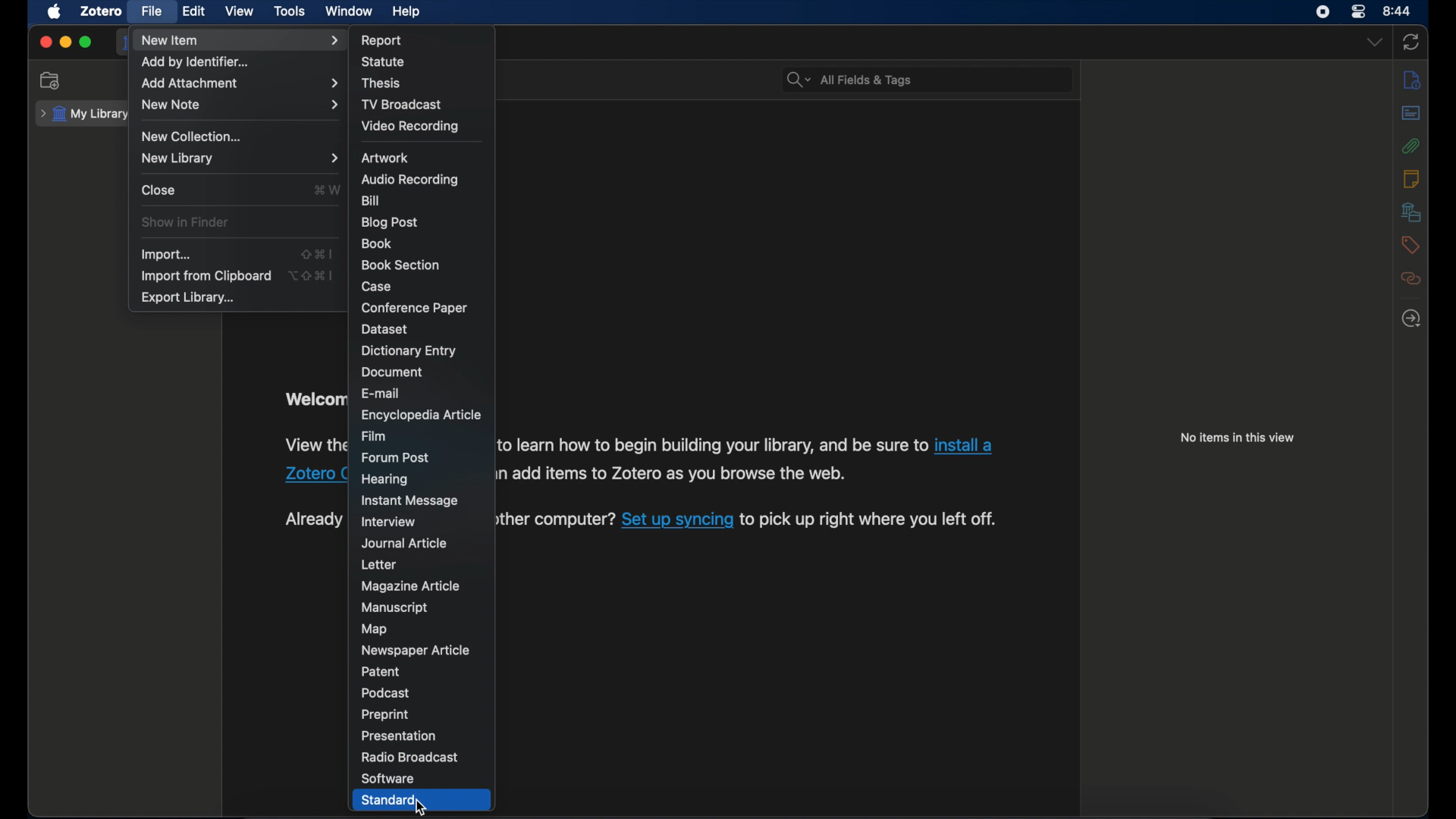 The width and height of the screenshot is (1456, 819). What do you see at coordinates (315, 447) in the screenshot?
I see `software information` at bounding box center [315, 447].